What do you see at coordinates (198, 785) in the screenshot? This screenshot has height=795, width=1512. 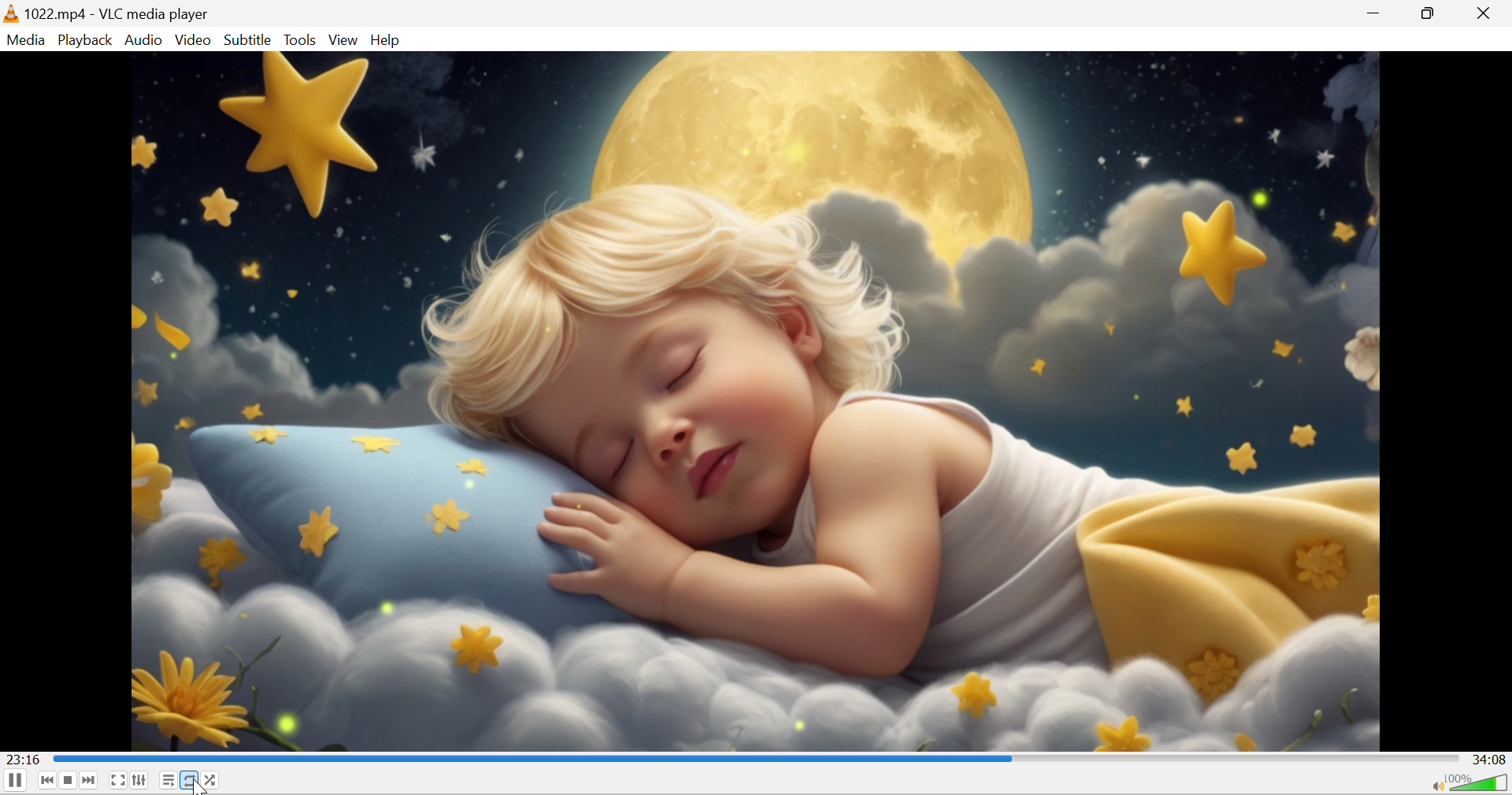 I see `cursor` at bounding box center [198, 785].